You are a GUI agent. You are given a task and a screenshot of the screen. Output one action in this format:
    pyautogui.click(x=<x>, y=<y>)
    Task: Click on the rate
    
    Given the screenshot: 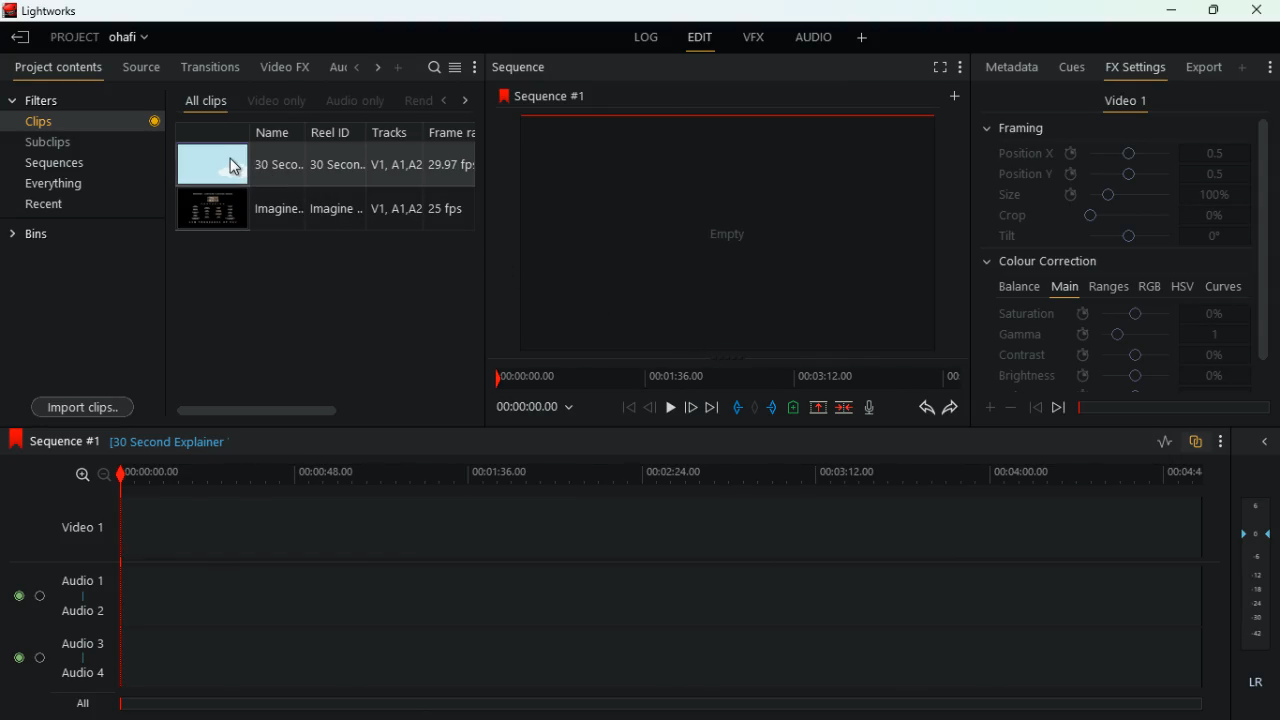 What is the action you would take?
    pyautogui.click(x=1163, y=444)
    